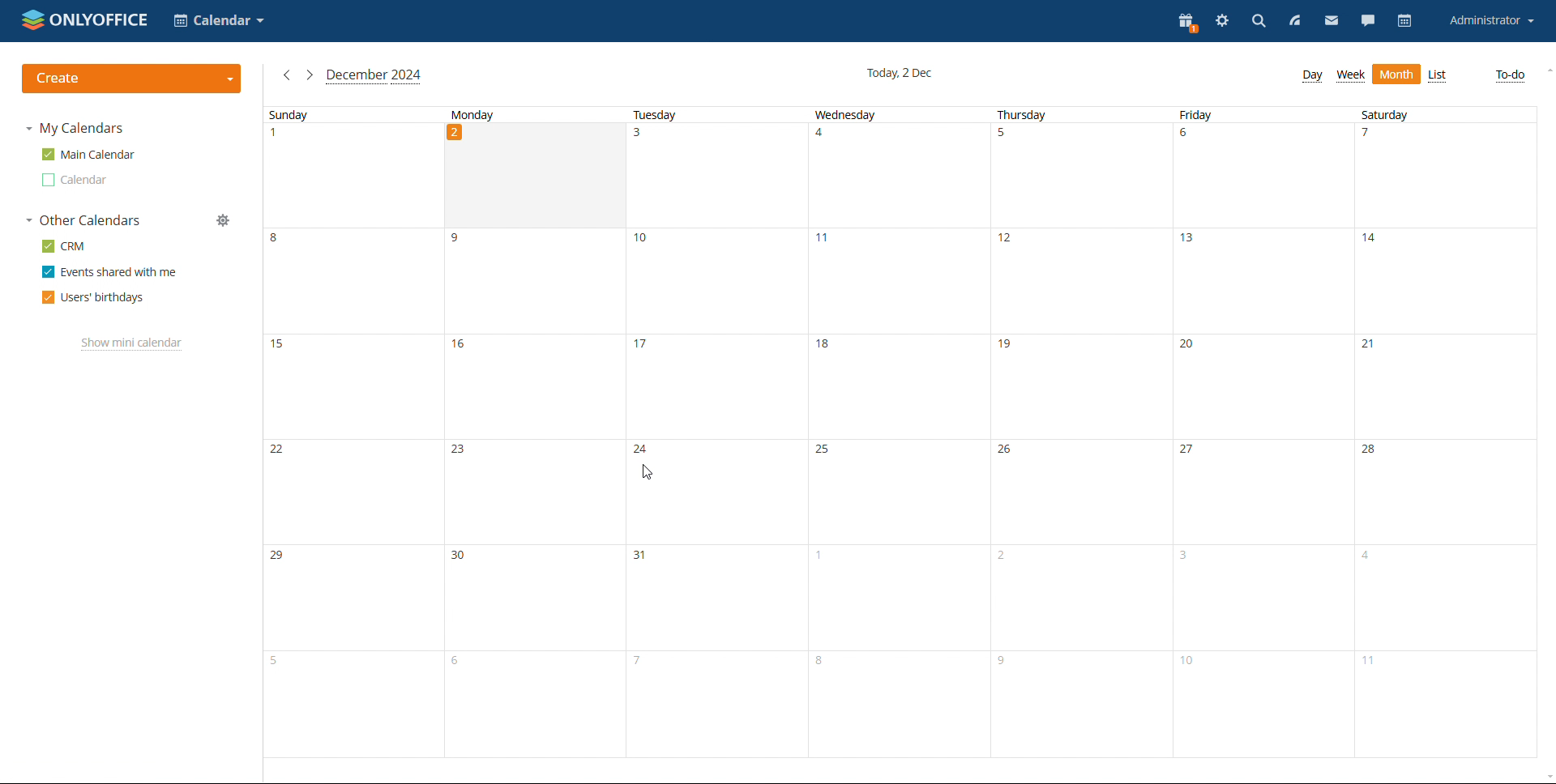  What do you see at coordinates (1191, 346) in the screenshot?
I see `20` at bounding box center [1191, 346].